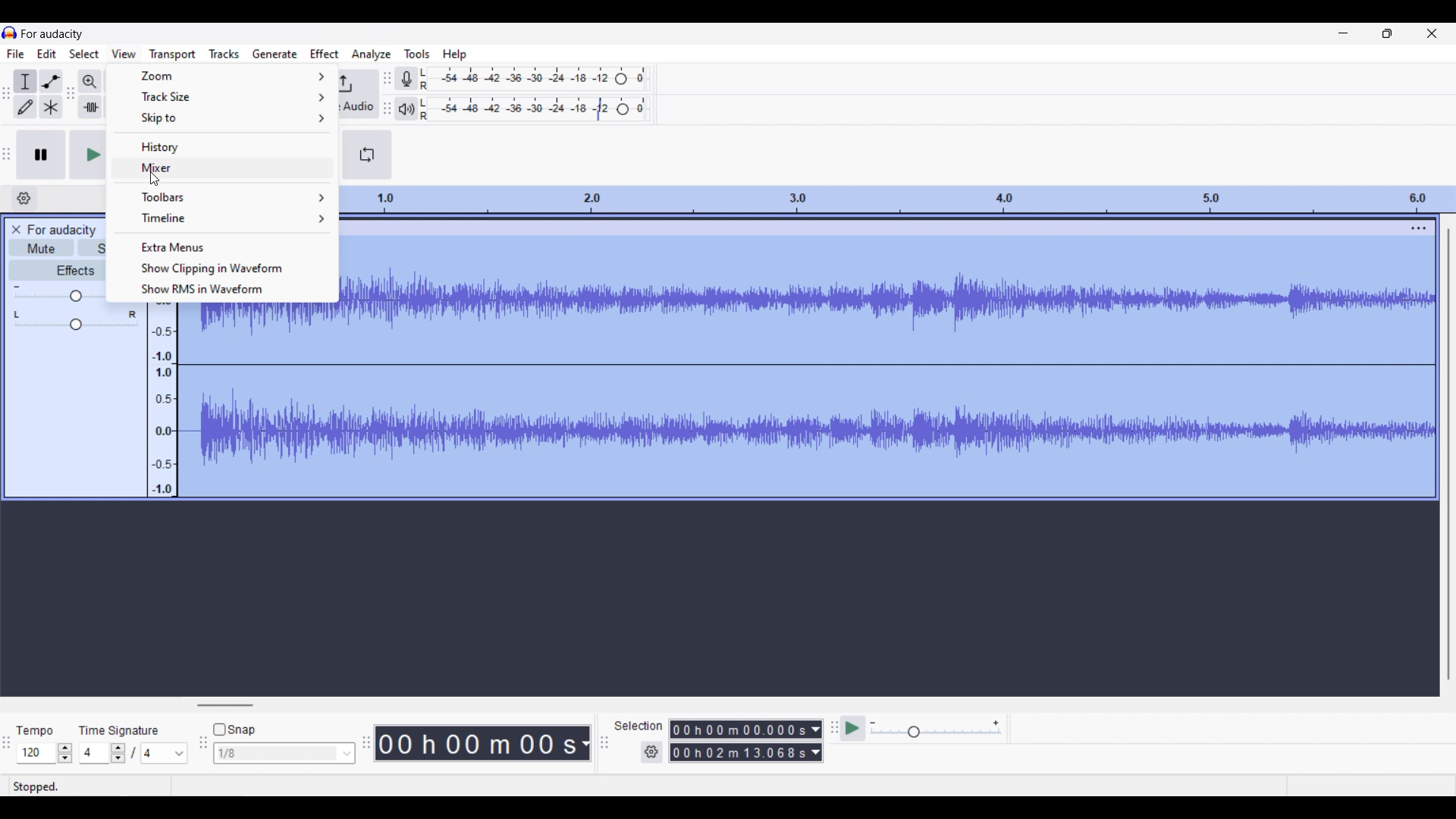 This screenshot has width=1456, height=819. Describe the element at coordinates (51, 107) in the screenshot. I see `Multi tool` at that location.